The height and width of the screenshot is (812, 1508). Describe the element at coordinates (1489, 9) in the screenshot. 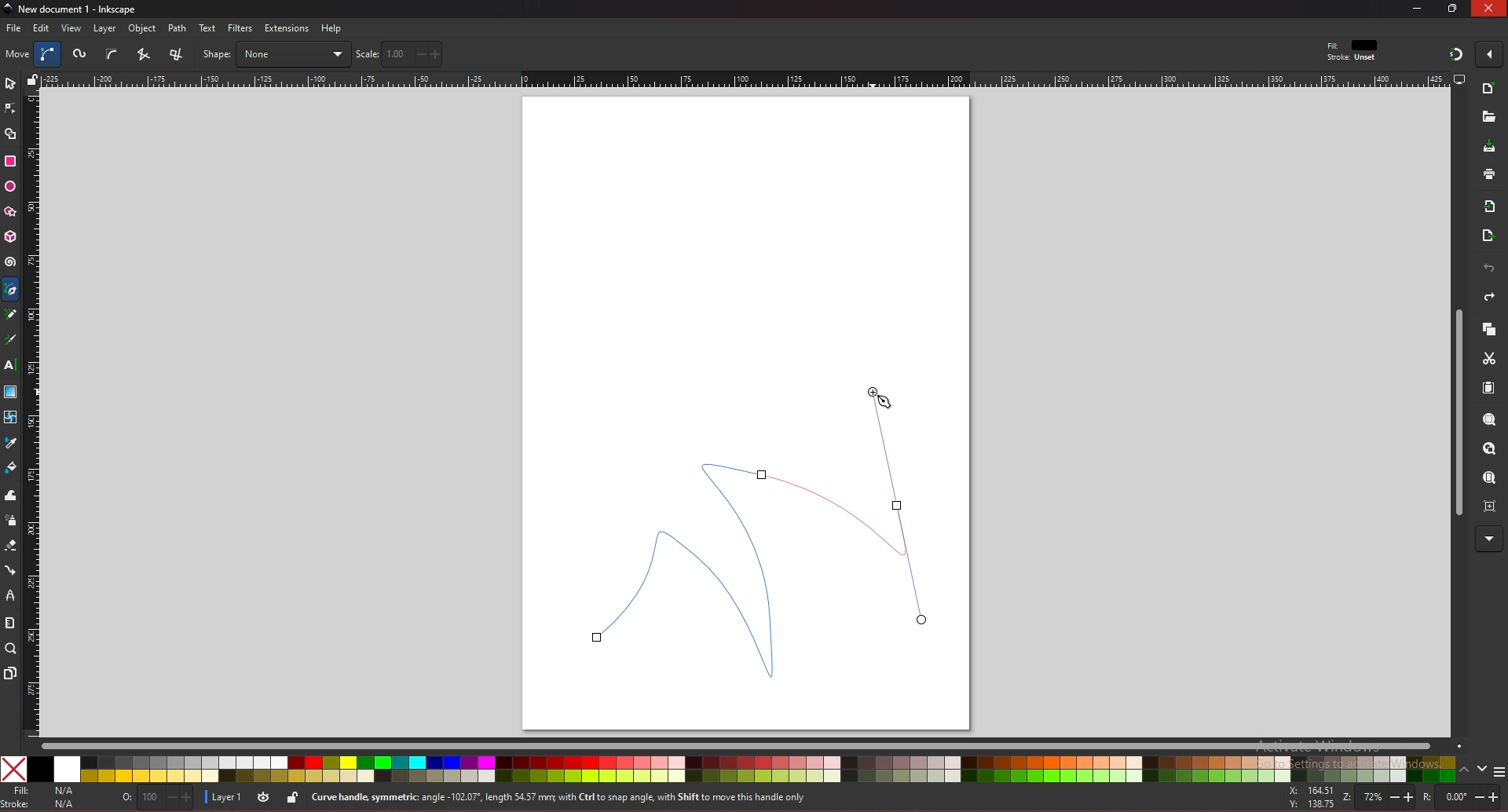

I see `close` at that location.